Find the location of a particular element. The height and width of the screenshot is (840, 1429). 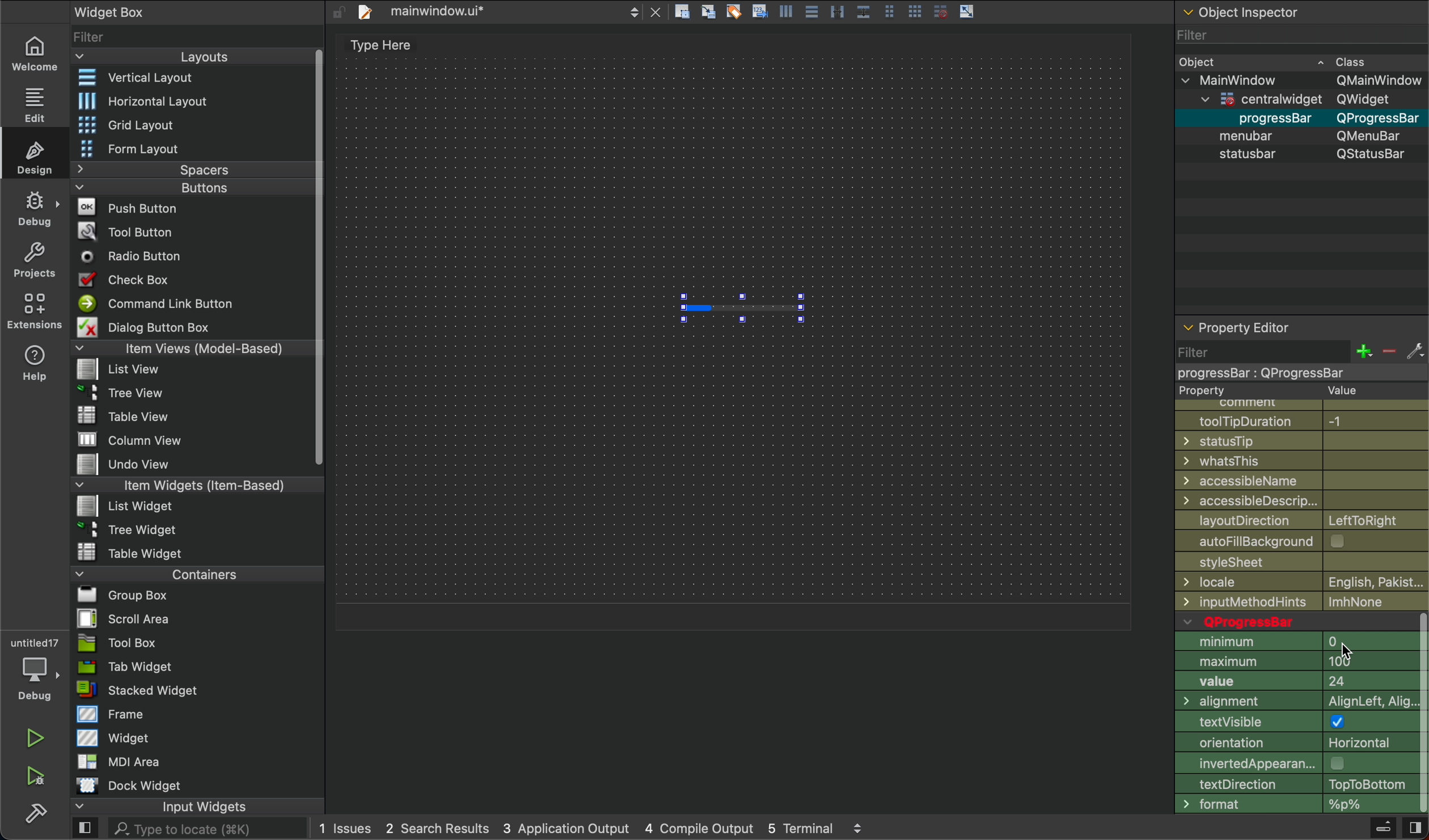

Horizontal Layout is located at coordinates (184, 101).